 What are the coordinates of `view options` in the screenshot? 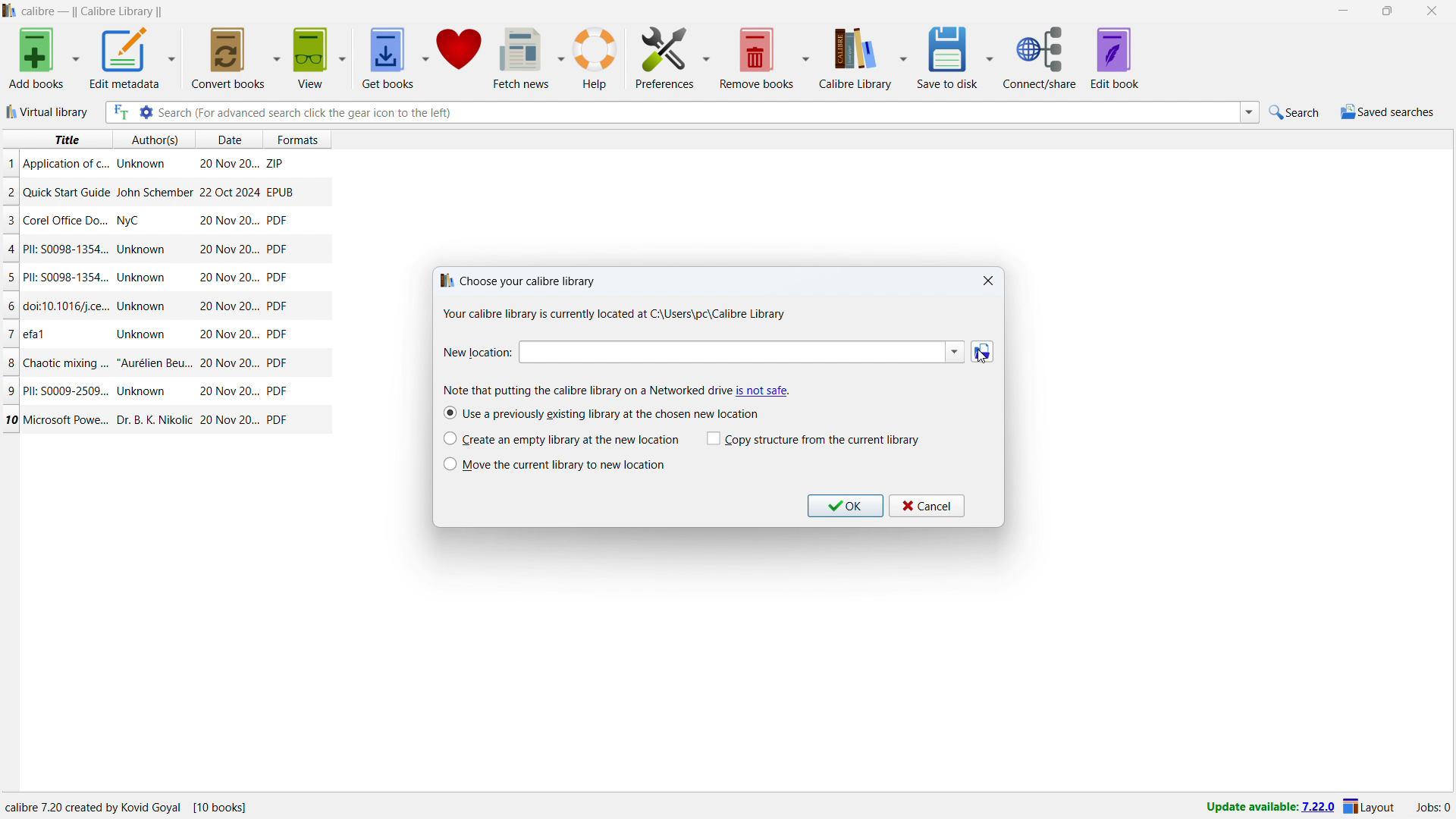 It's located at (344, 58).